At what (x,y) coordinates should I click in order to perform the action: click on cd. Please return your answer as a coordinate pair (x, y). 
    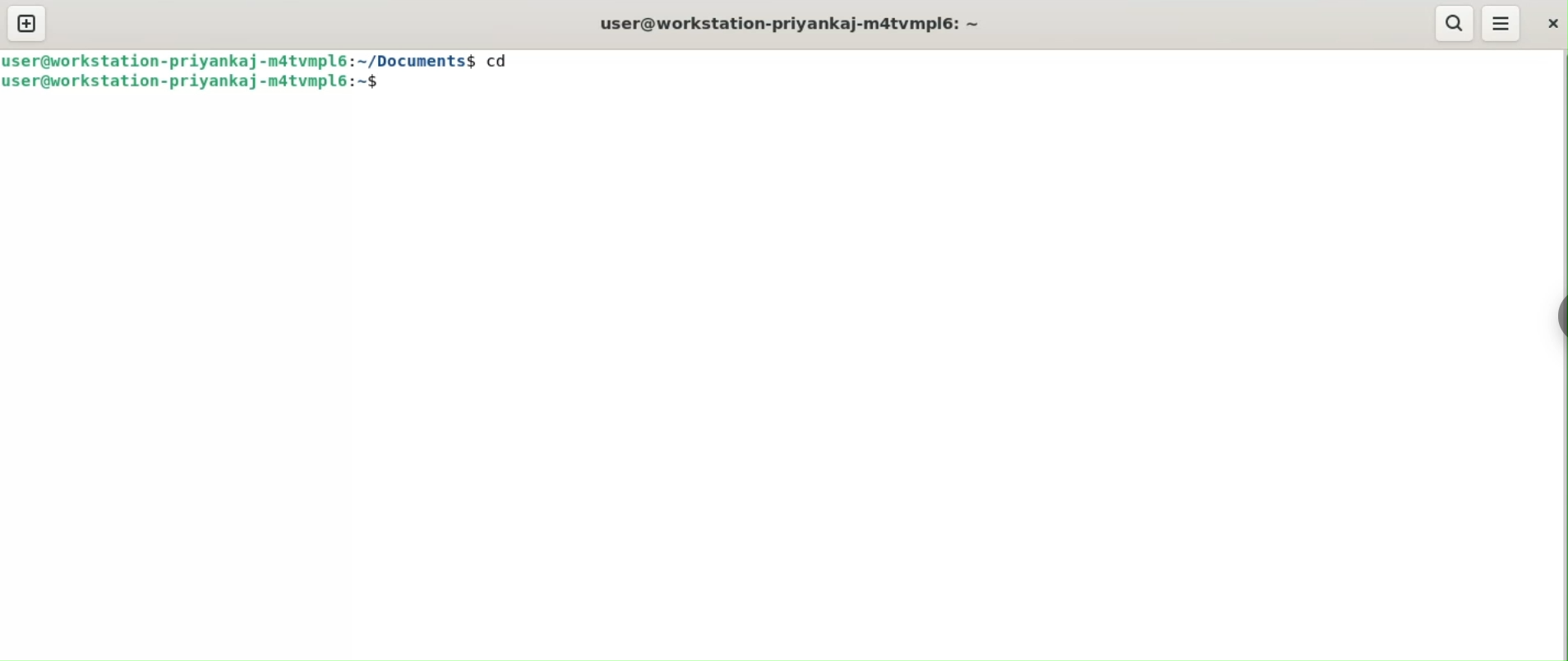
    Looking at the image, I should click on (505, 59).